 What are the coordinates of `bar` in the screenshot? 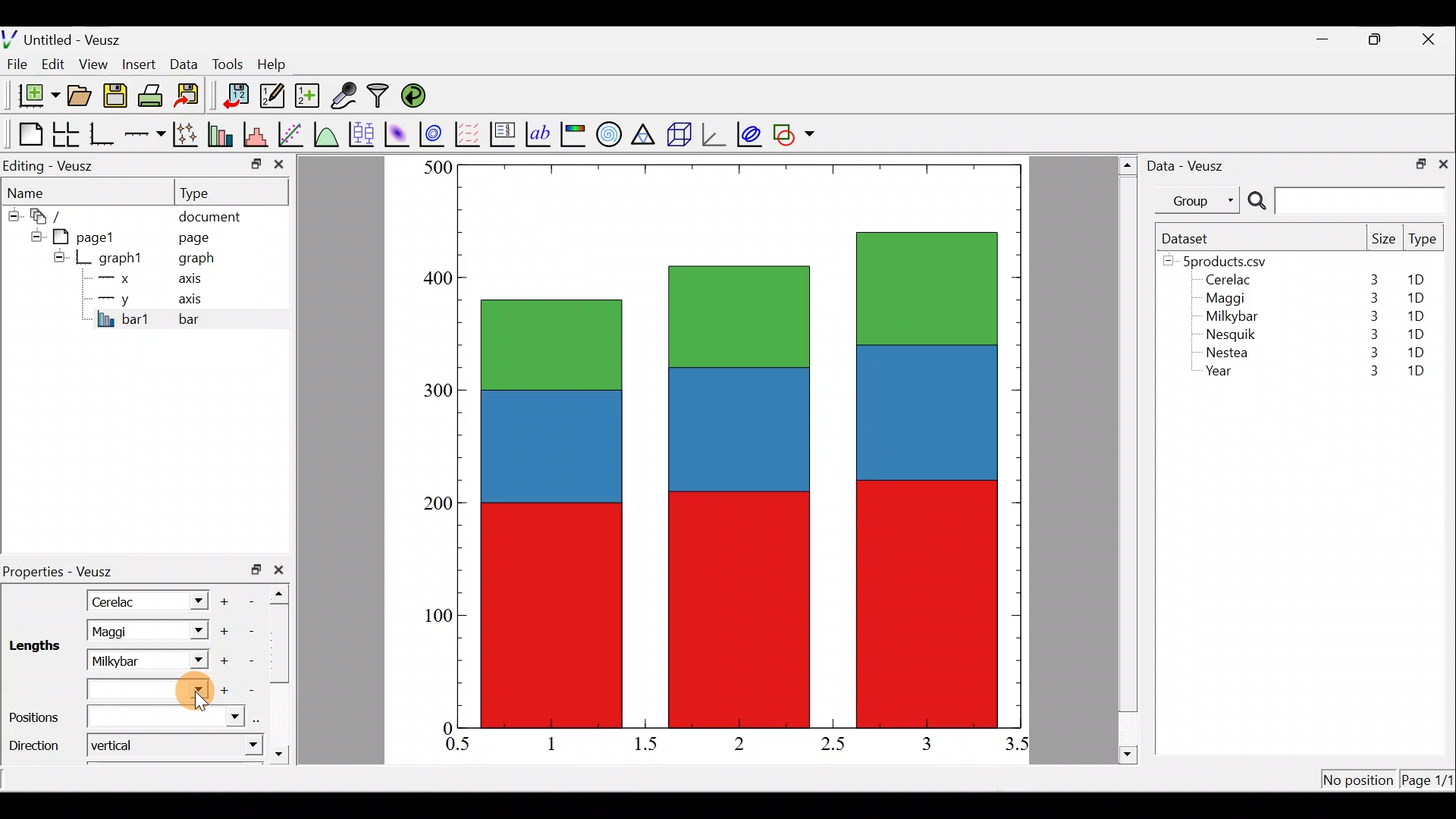 It's located at (214, 318).